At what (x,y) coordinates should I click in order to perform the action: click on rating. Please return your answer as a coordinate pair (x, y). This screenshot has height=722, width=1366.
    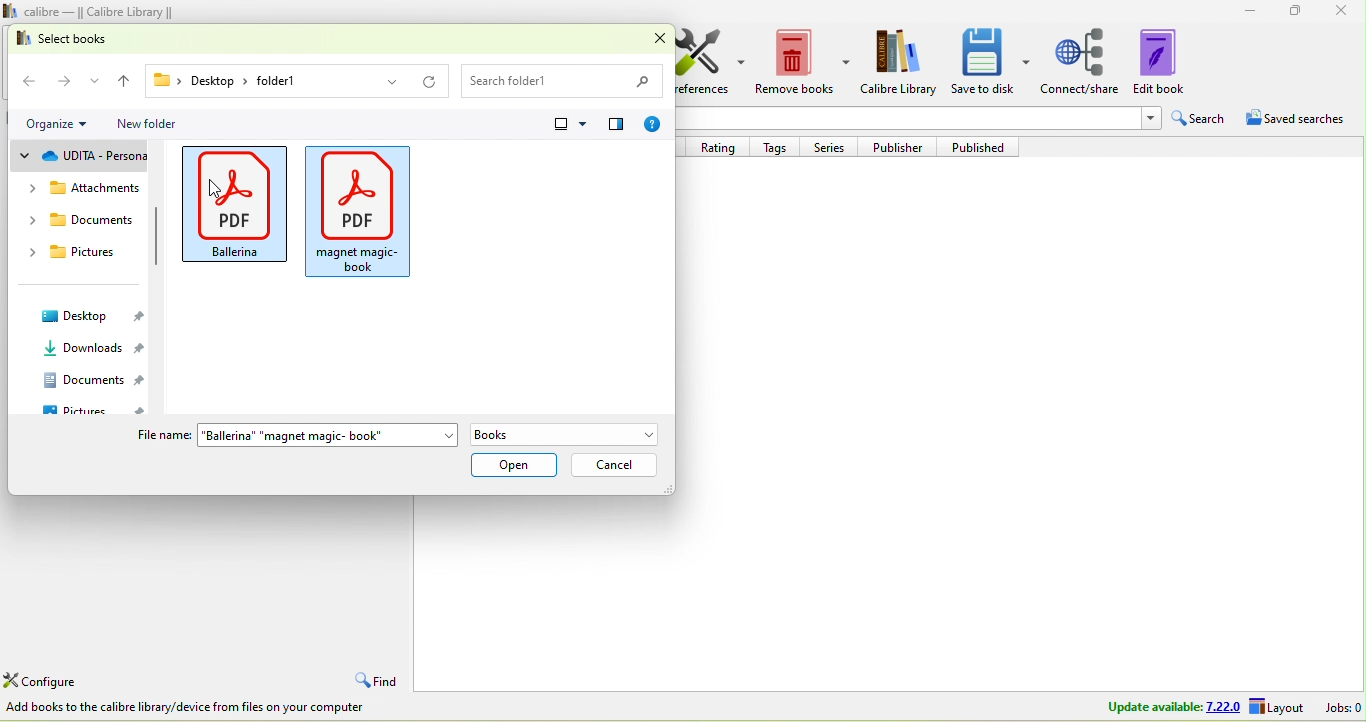
    Looking at the image, I should click on (717, 148).